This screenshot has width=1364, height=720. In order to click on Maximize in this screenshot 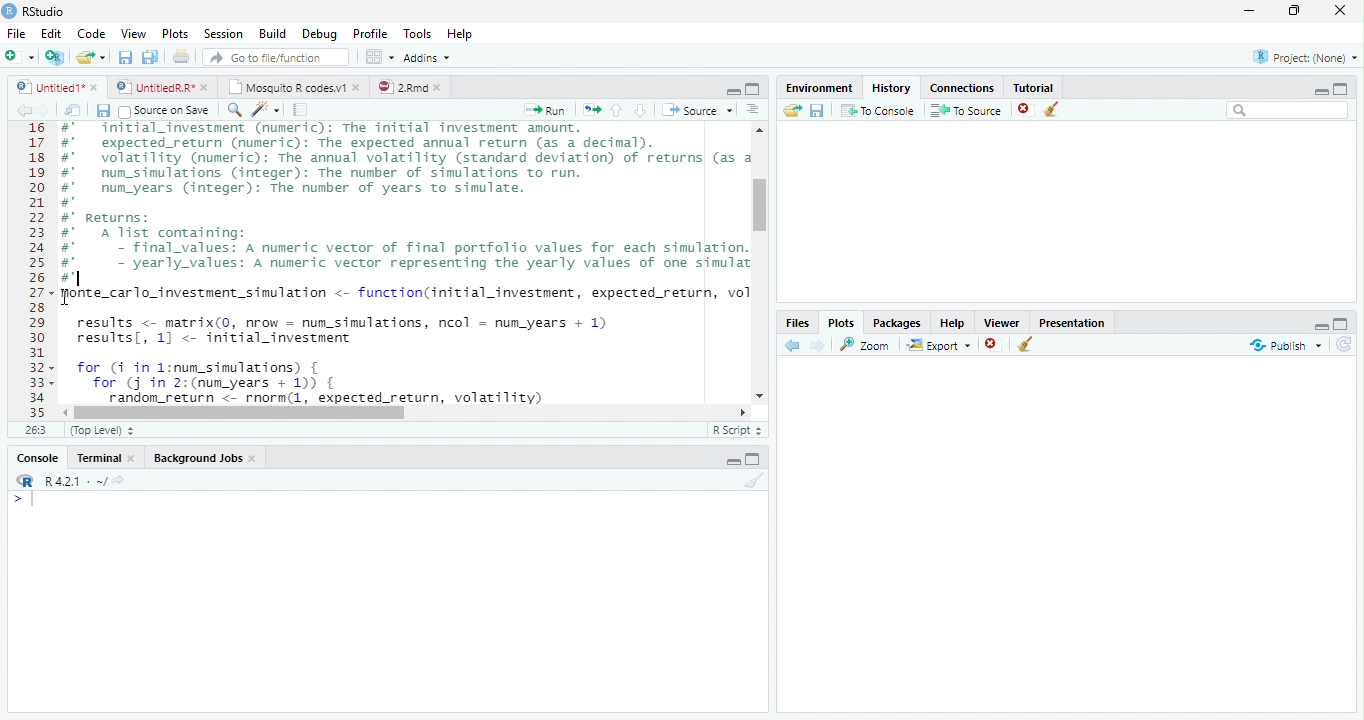, I will do `click(1299, 12)`.